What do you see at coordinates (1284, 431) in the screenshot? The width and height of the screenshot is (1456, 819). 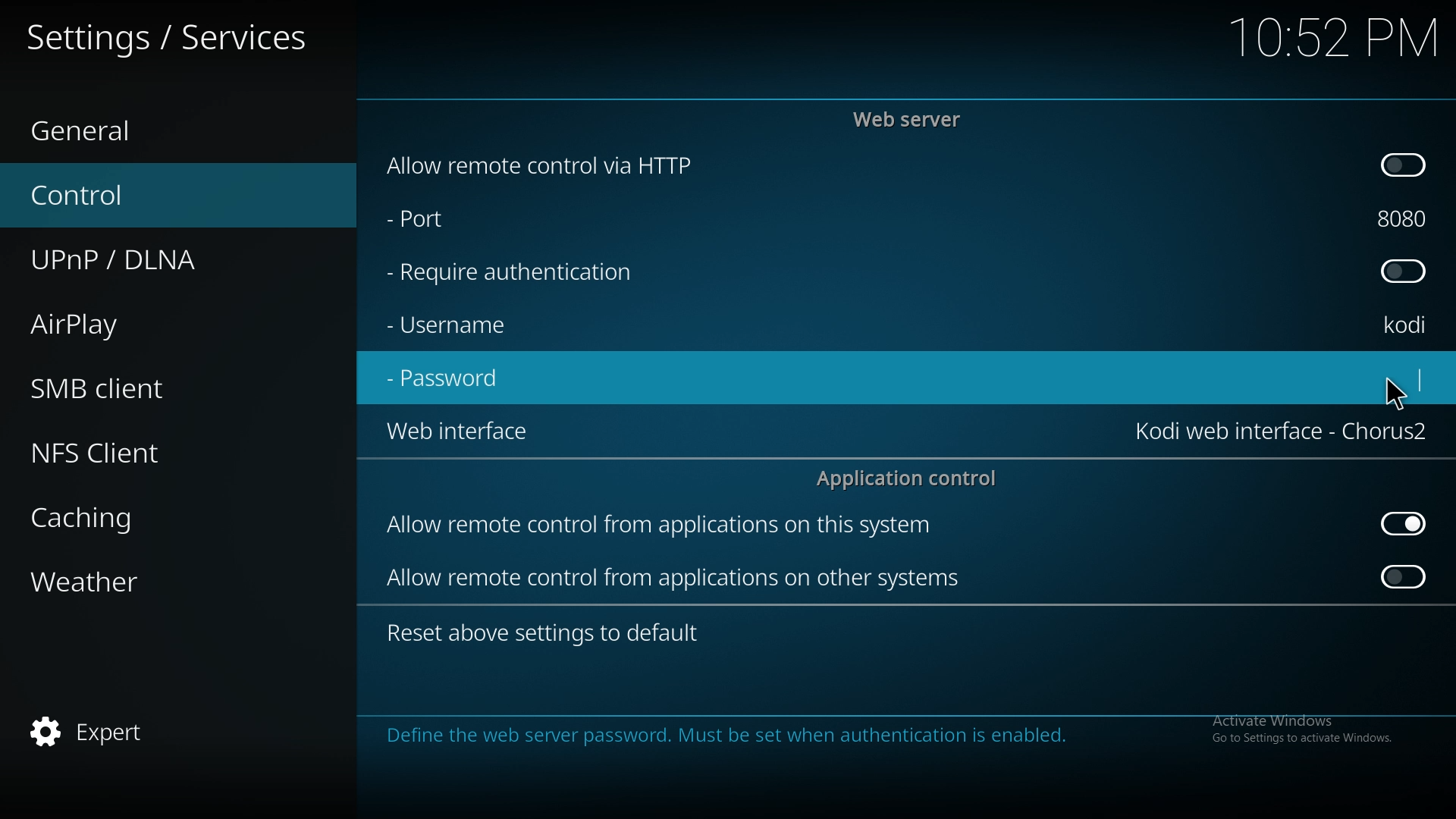 I see `web interface` at bounding box center [1284, 431].